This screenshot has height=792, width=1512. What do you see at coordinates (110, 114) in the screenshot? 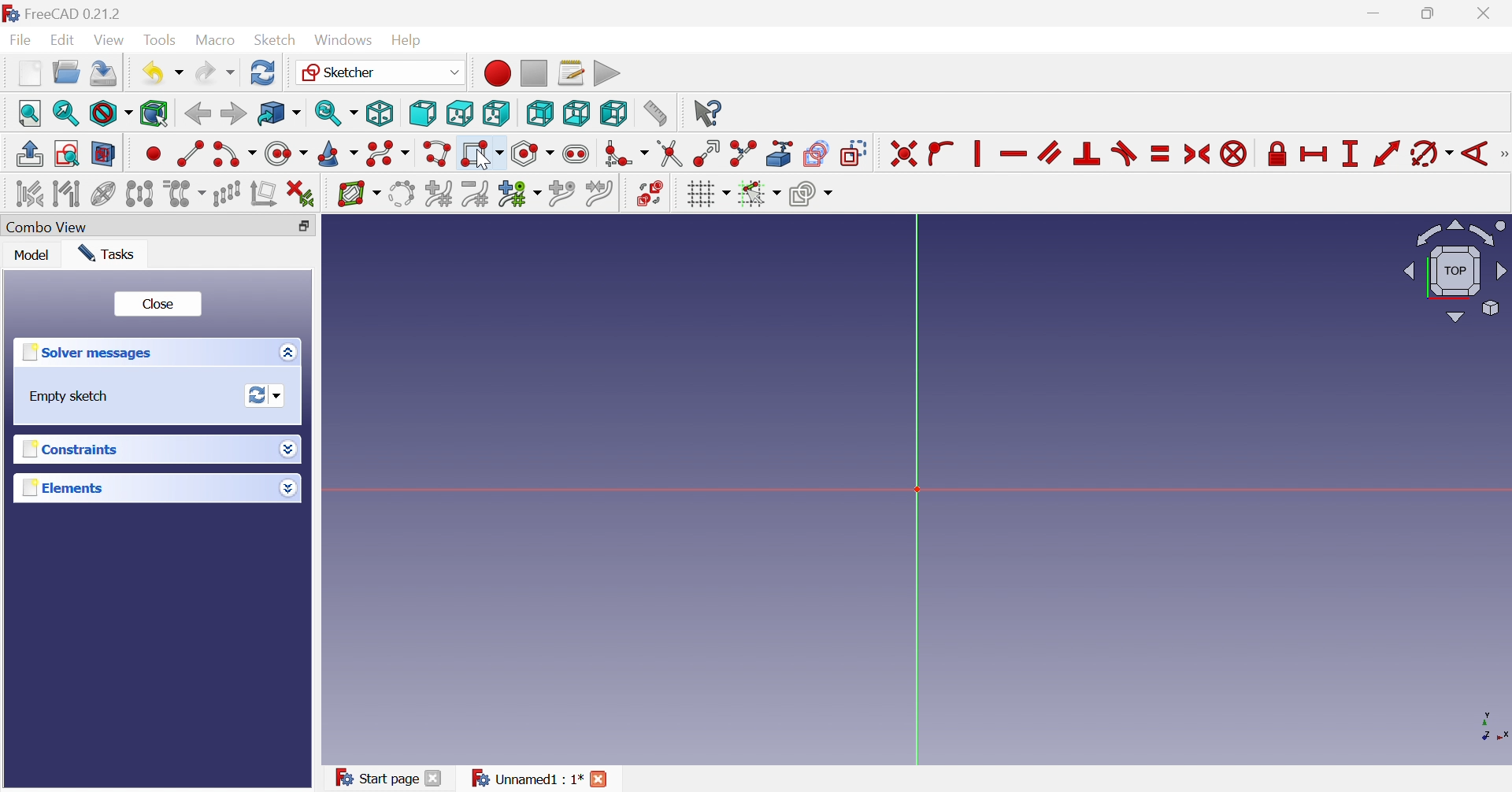
I see `Draw style` at bounding box center [110, 114].